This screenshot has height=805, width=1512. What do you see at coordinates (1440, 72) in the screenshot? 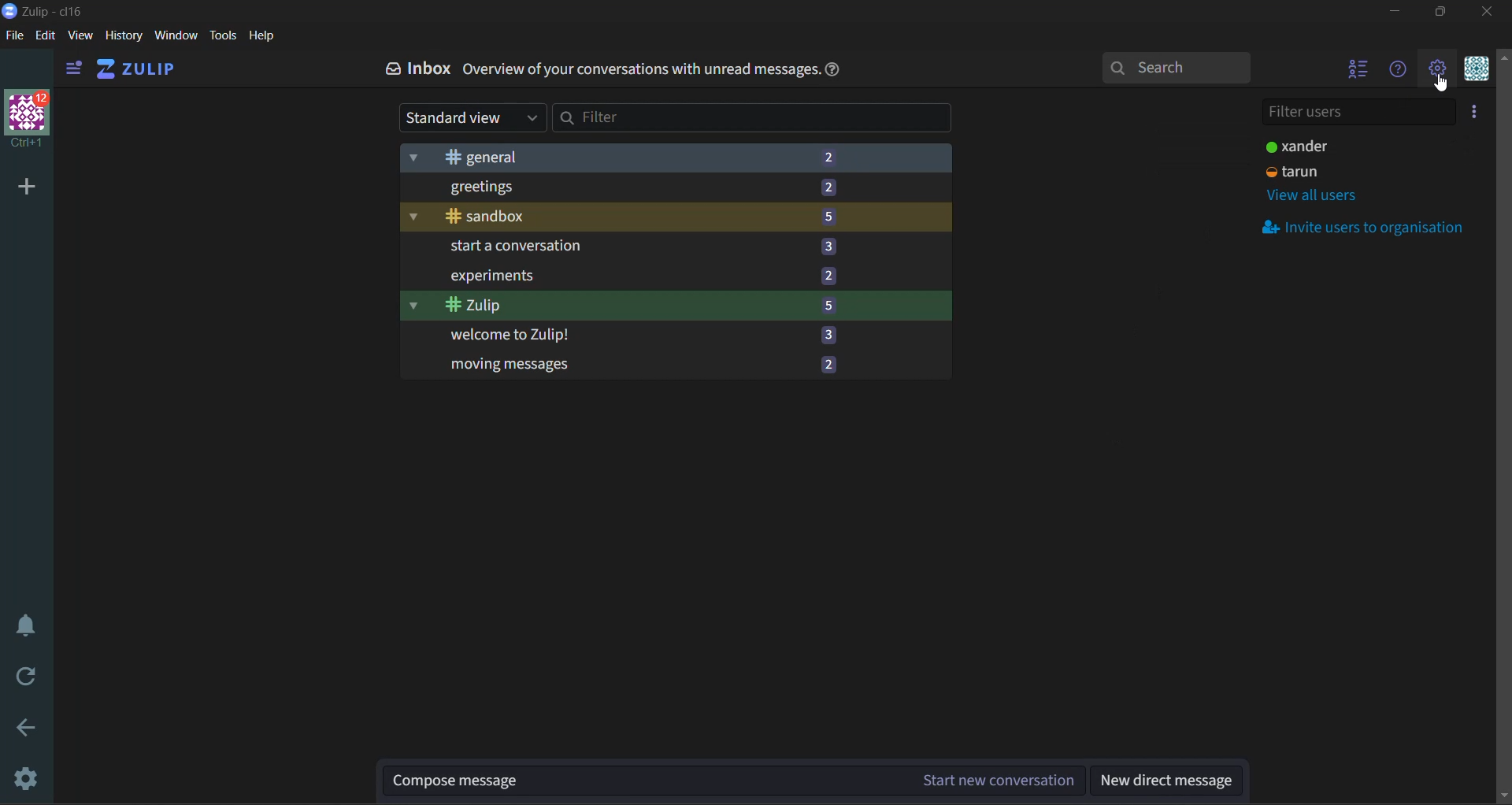
I see `main menu` at bounding box center [1440, 72].